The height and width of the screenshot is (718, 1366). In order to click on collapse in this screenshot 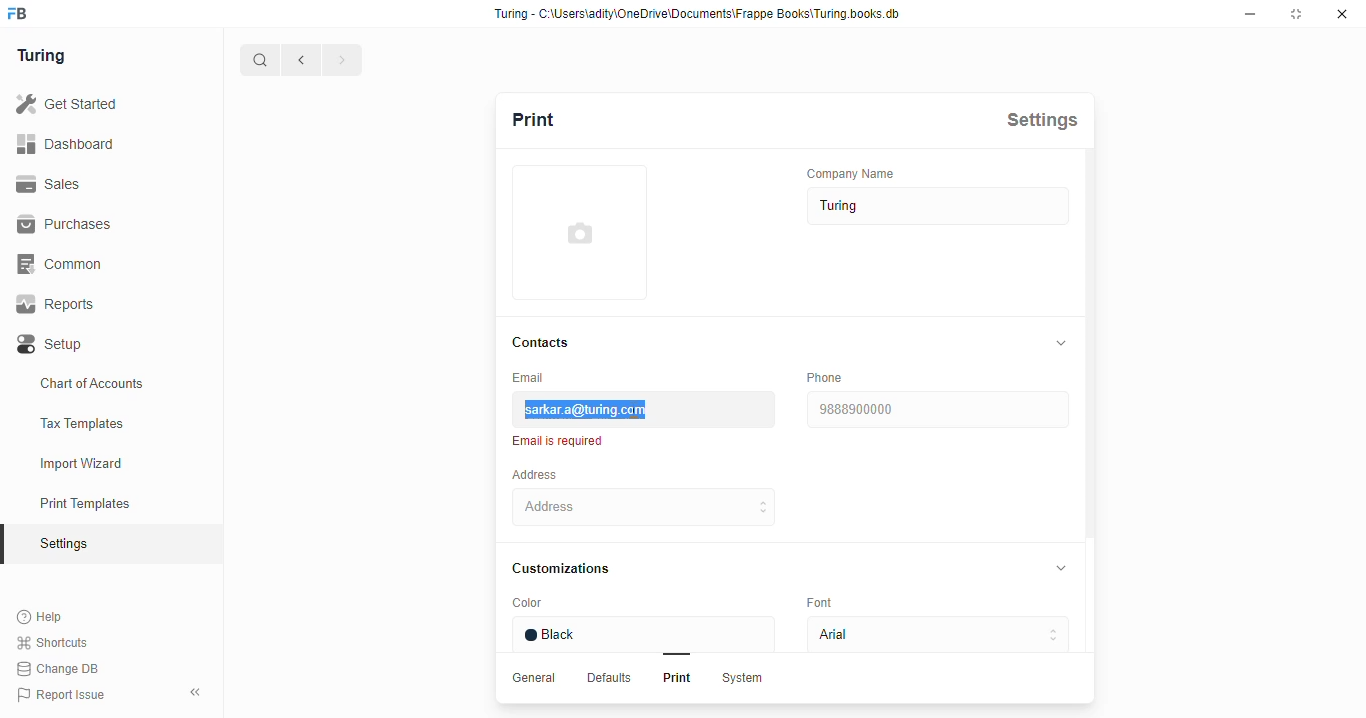, I will do `click(197, 689)`.